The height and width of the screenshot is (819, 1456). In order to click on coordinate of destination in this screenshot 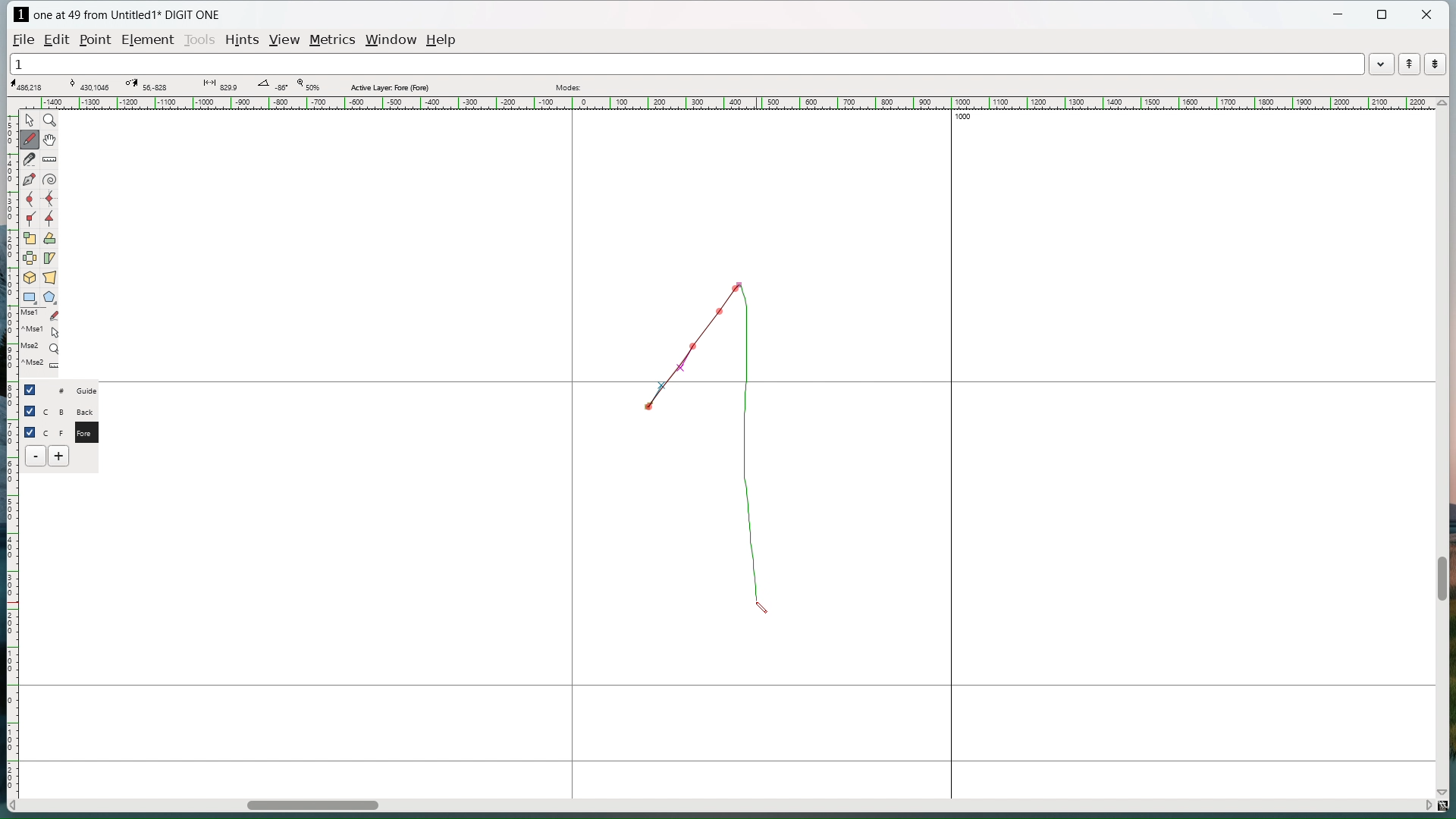, I will do `click(146, 85)`.